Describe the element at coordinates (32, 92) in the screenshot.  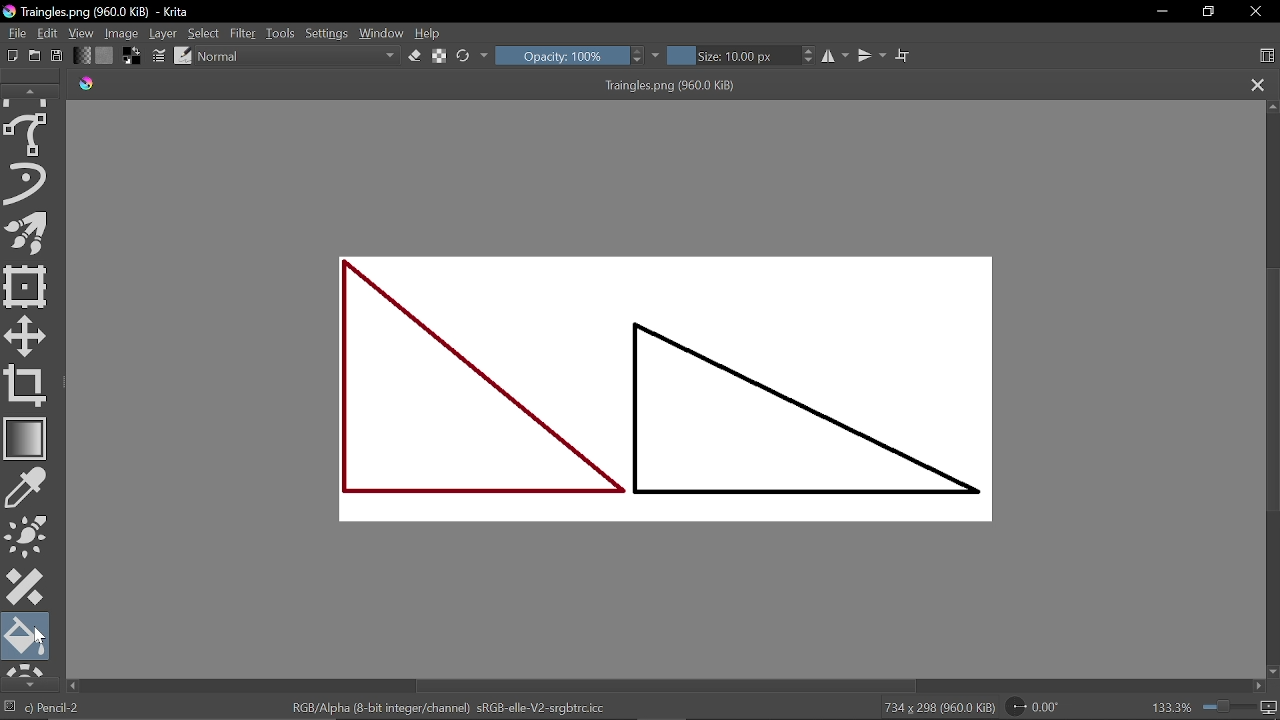
I see `Move up in tools` at that location.